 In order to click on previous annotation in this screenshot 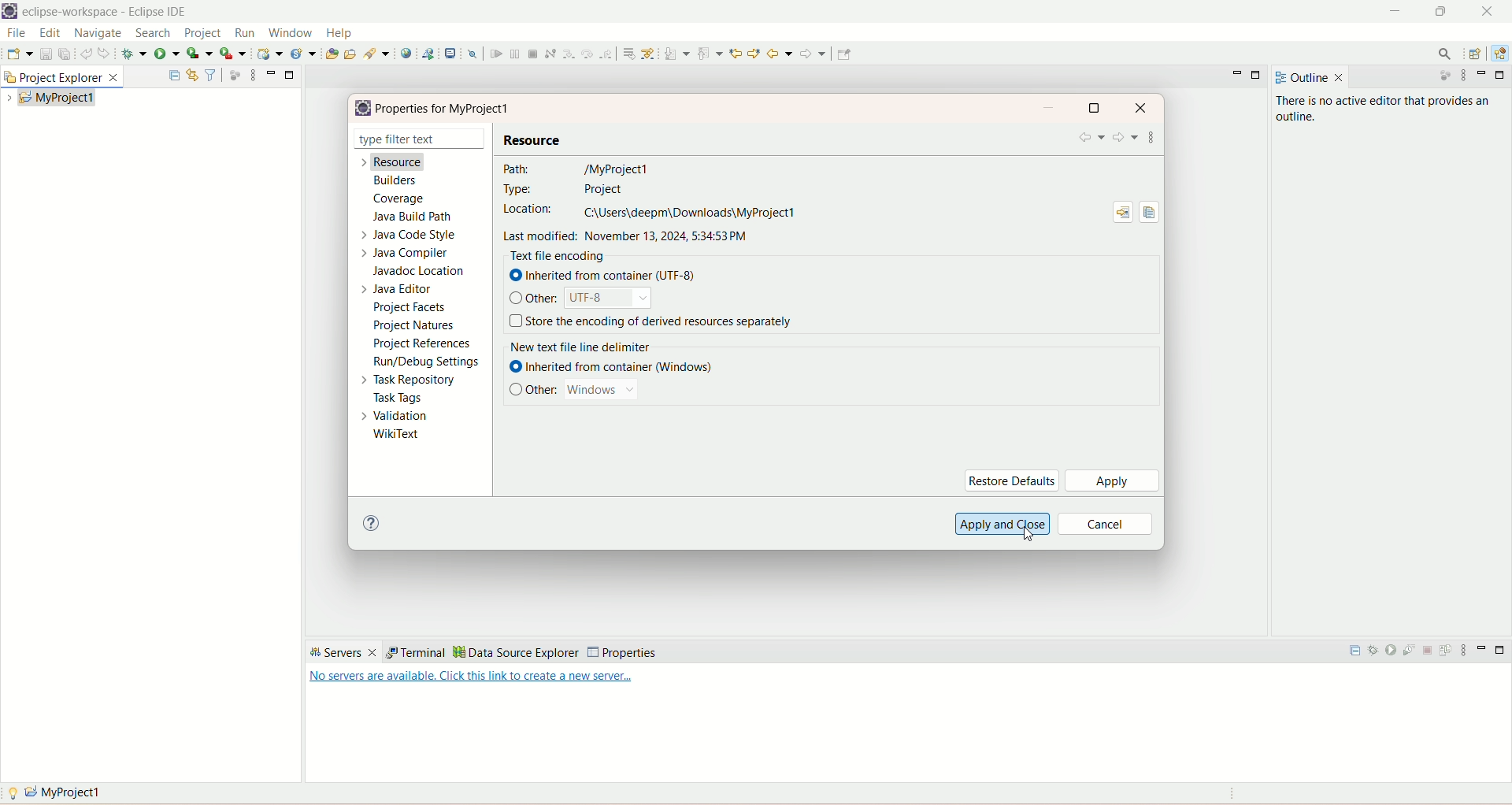, I will do `click(710, 54)`.